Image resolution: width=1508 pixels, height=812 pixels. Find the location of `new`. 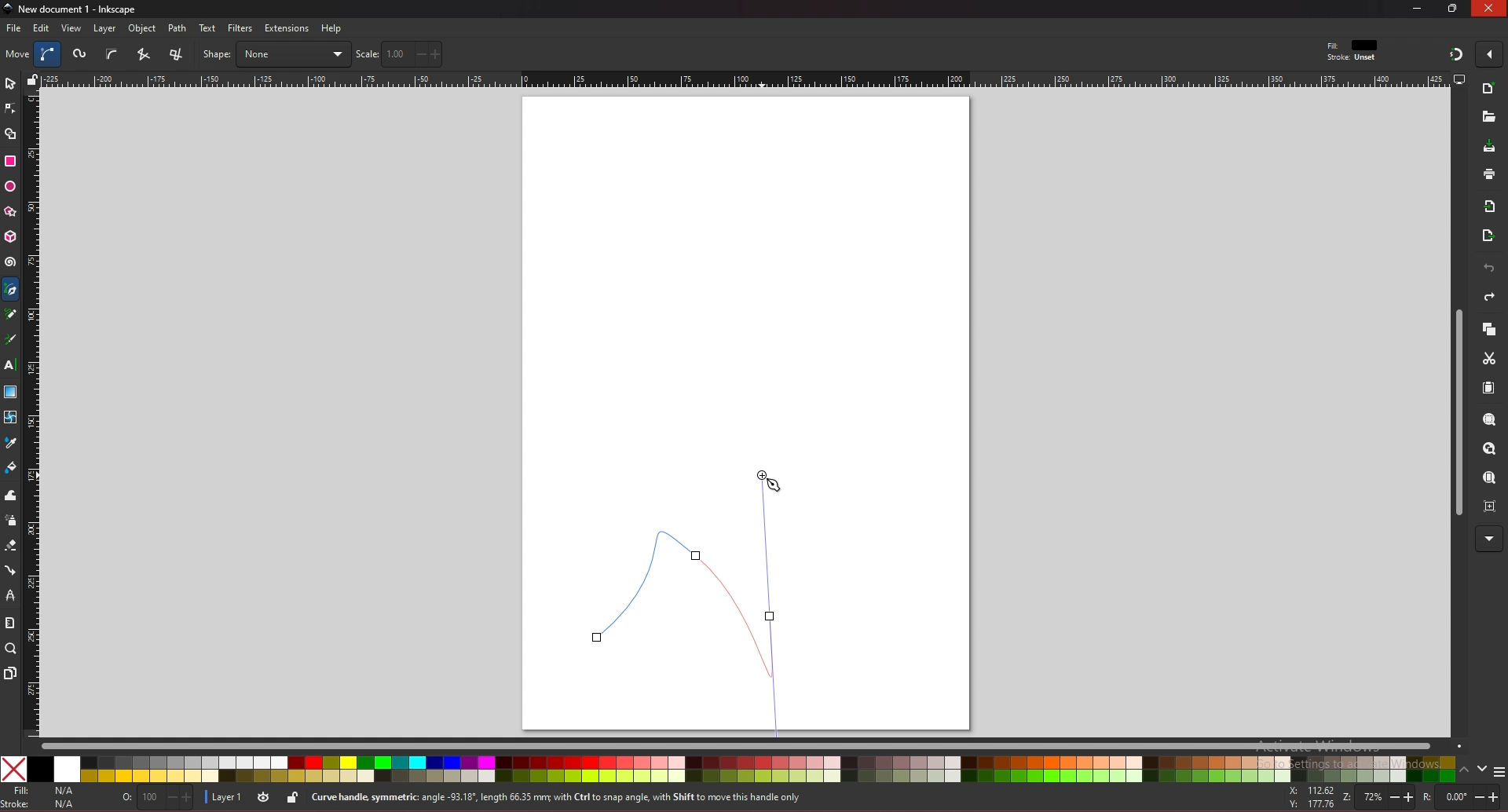

new is located at coordinates (1488, 117).